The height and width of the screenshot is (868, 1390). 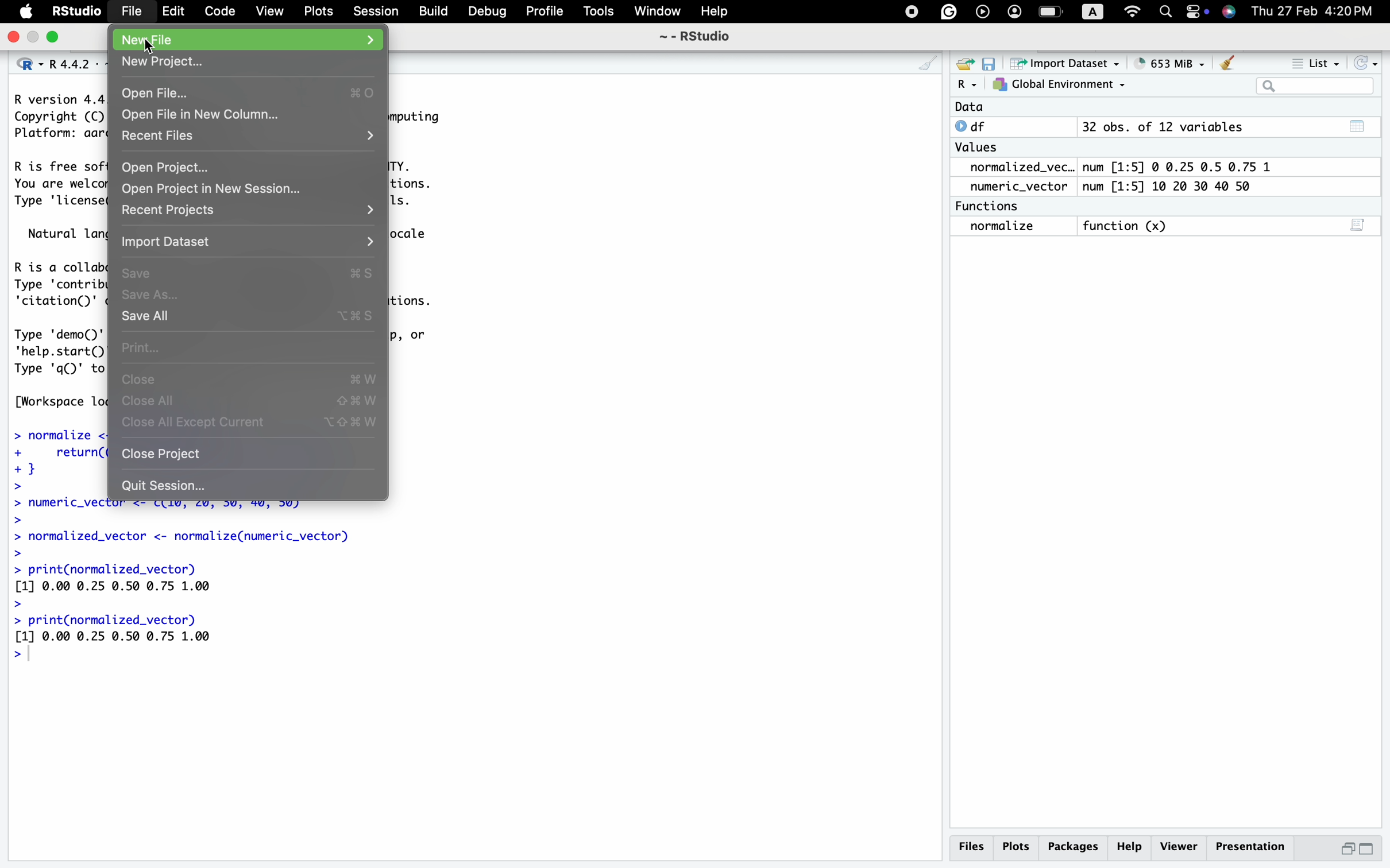 What do you see at coordinates (161, 453) in the screenshot?
I see `Close Project` at bounding box center [161, 453].